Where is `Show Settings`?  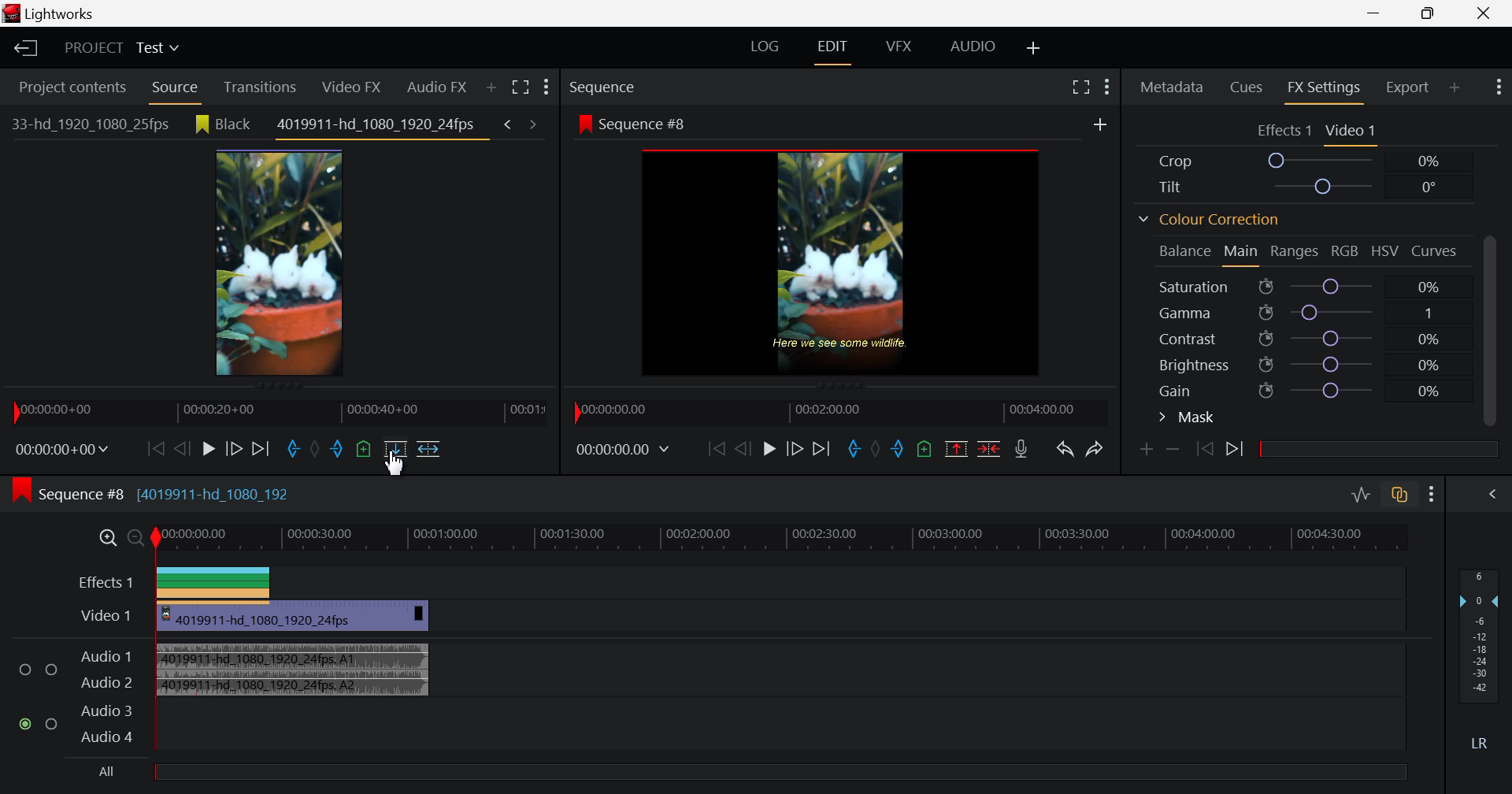 Show Settings is located at coordinates (548, 89).